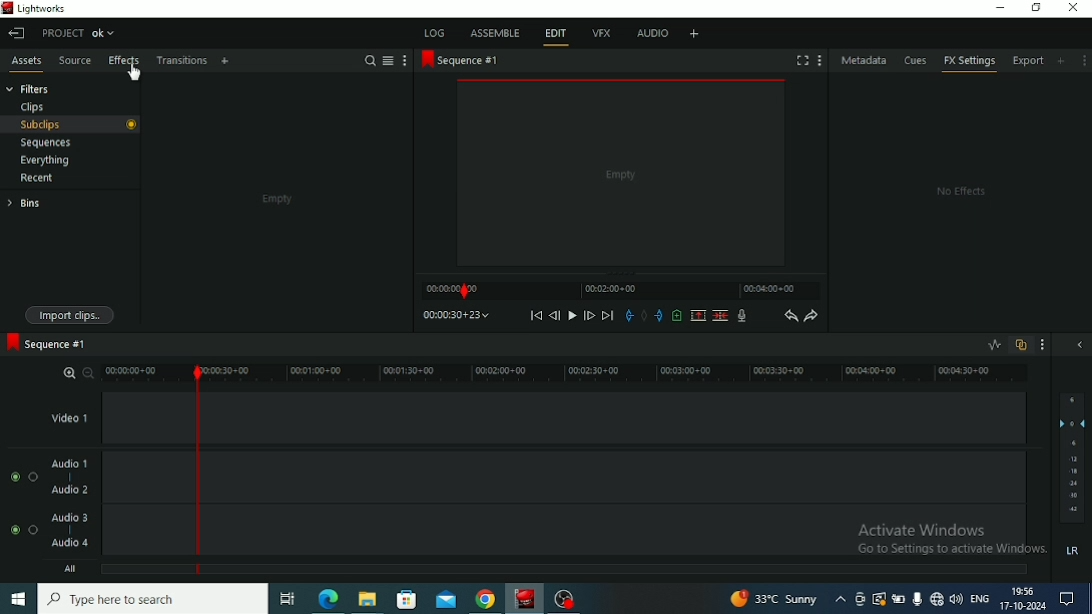  What do you see at coordinates (1084, 60) in the screenshot?
I see `Show setting menu` at bounding box center [1084, 60].